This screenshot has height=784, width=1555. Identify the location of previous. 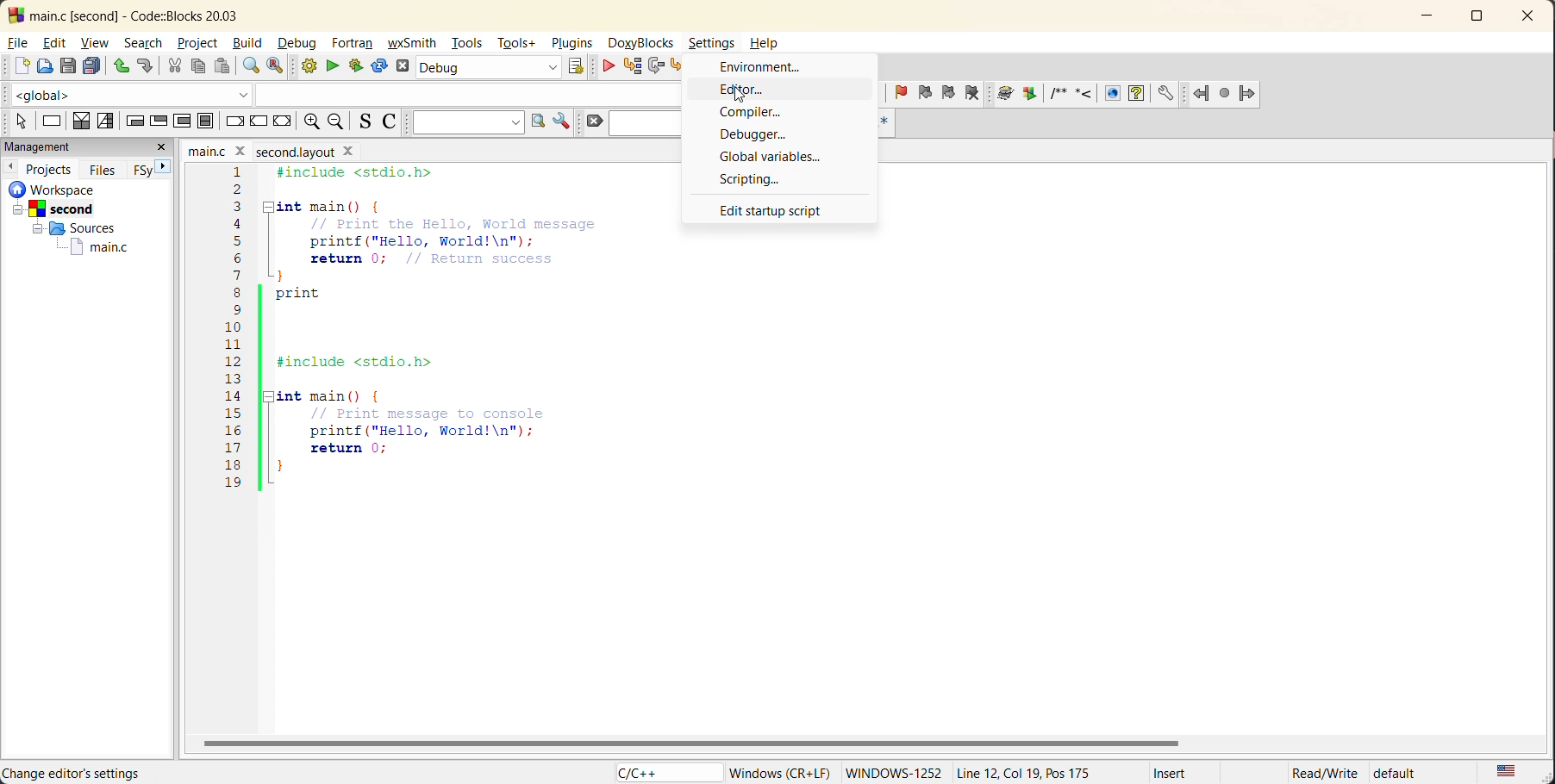
(12, 168).